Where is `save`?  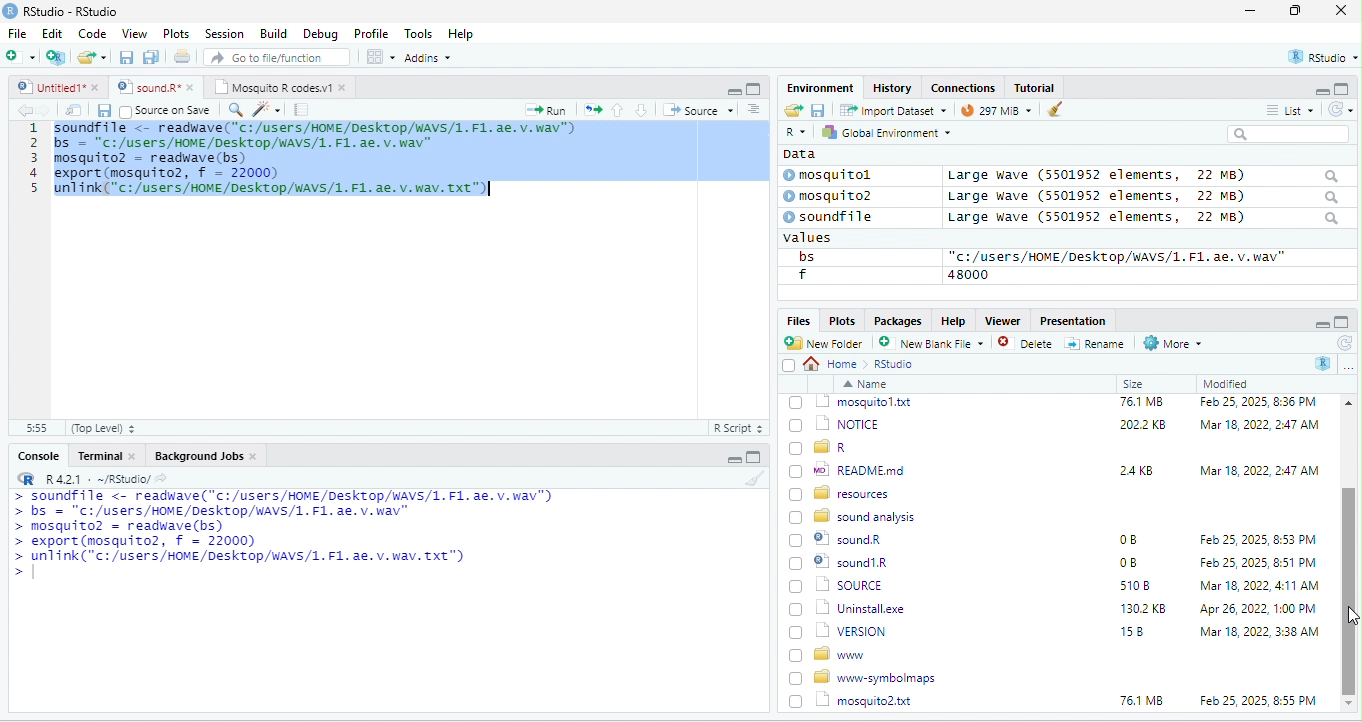
save is located at coordinates (103, 110).